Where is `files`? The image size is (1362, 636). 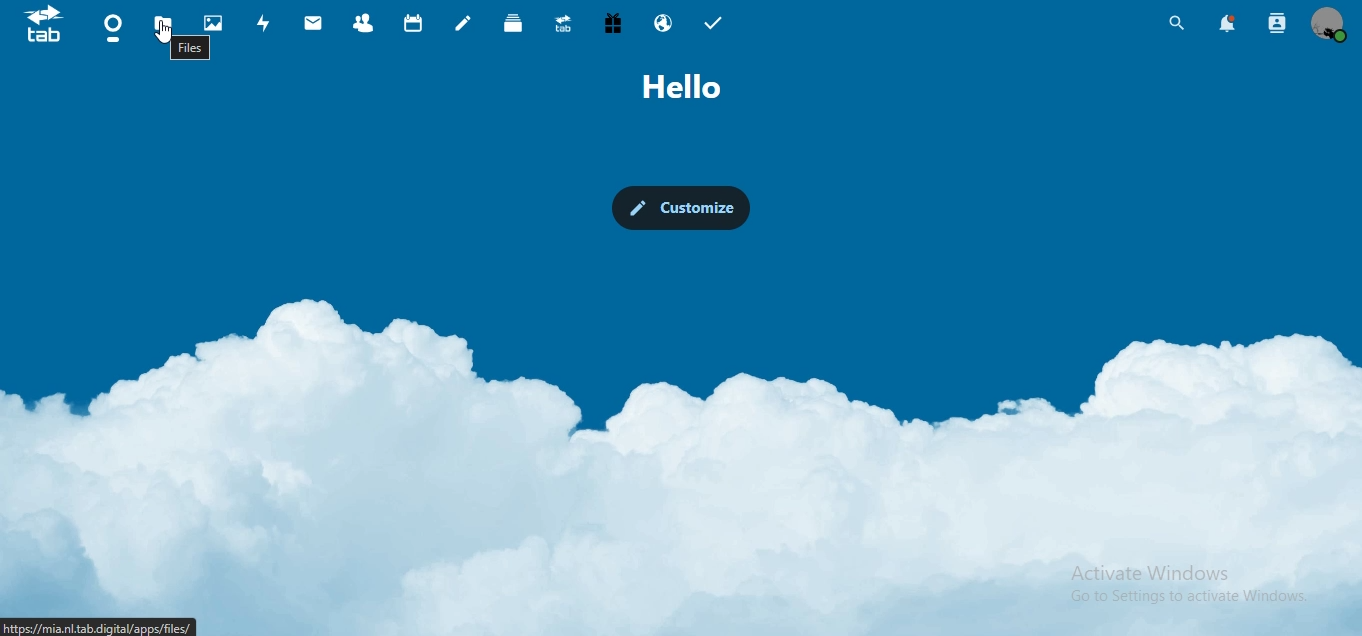 files is located at coordinates (197, 49).